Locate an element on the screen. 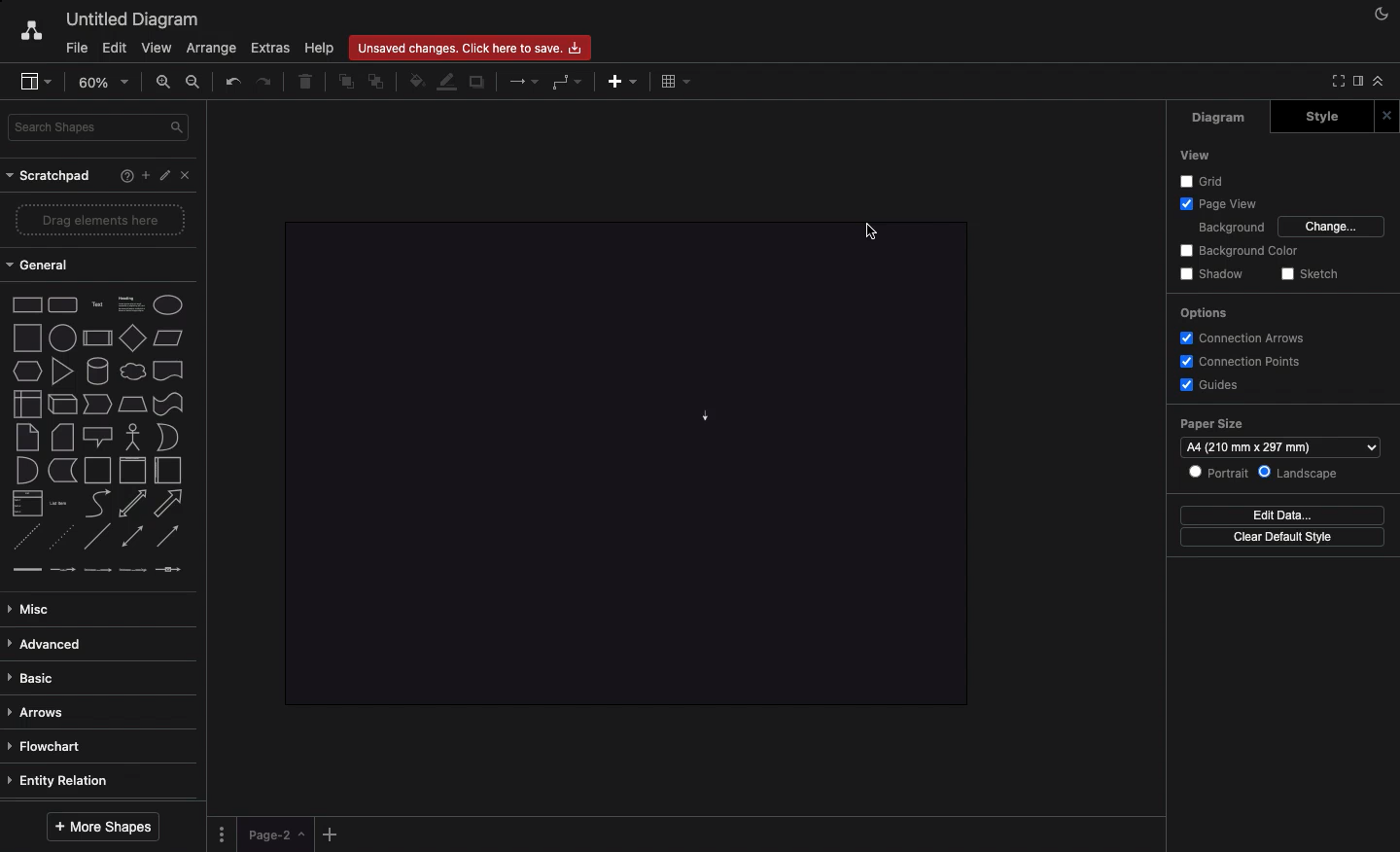 The height and width of the screenshot is (852, 1400). Grid is located at coordinates (1205, 180).